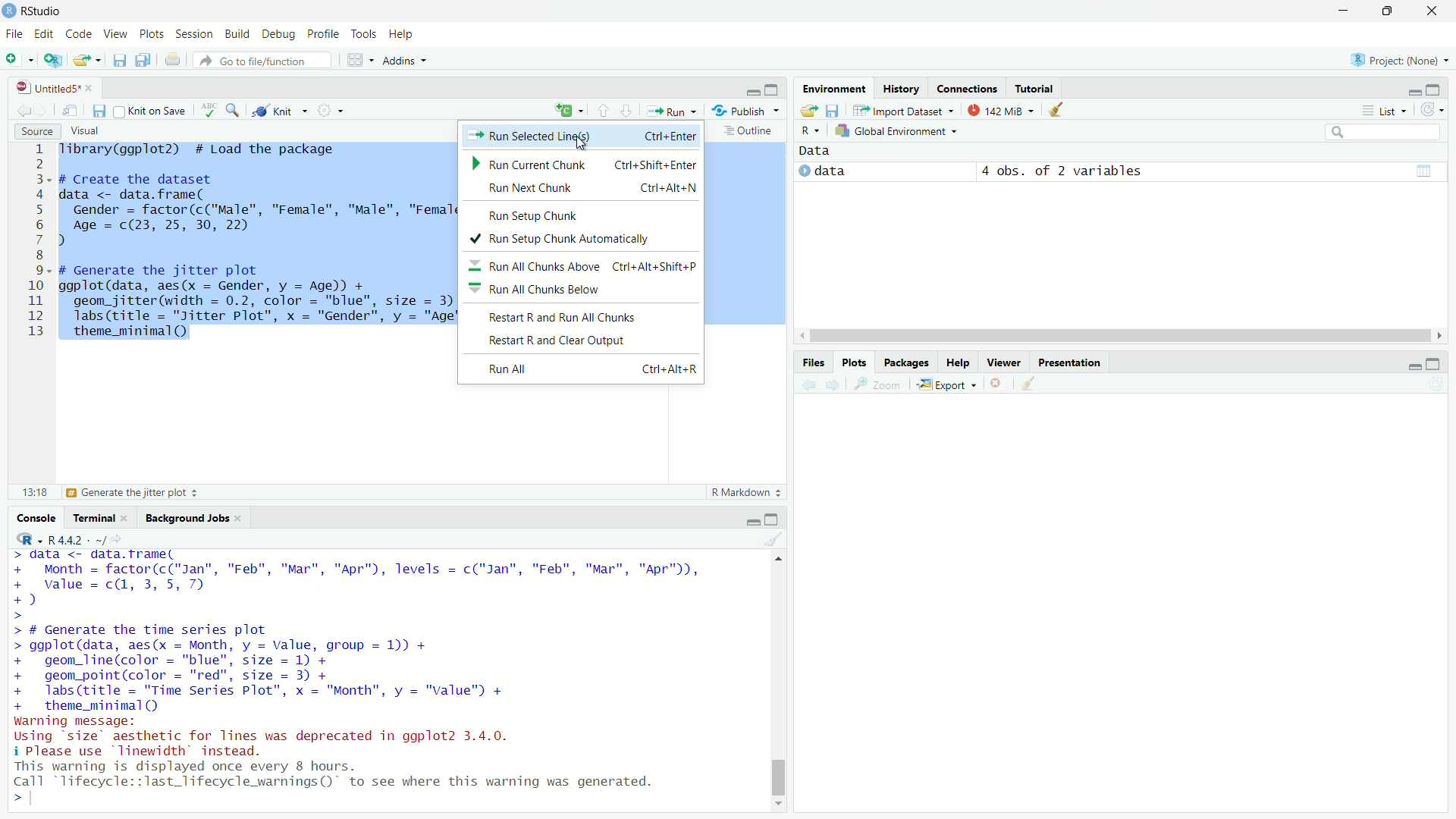 This screenshot has width=1456, height=819. What do you see at coordinates (774, 539) in the screenshot?
I see `clear console` at bounding box center [774, 539].